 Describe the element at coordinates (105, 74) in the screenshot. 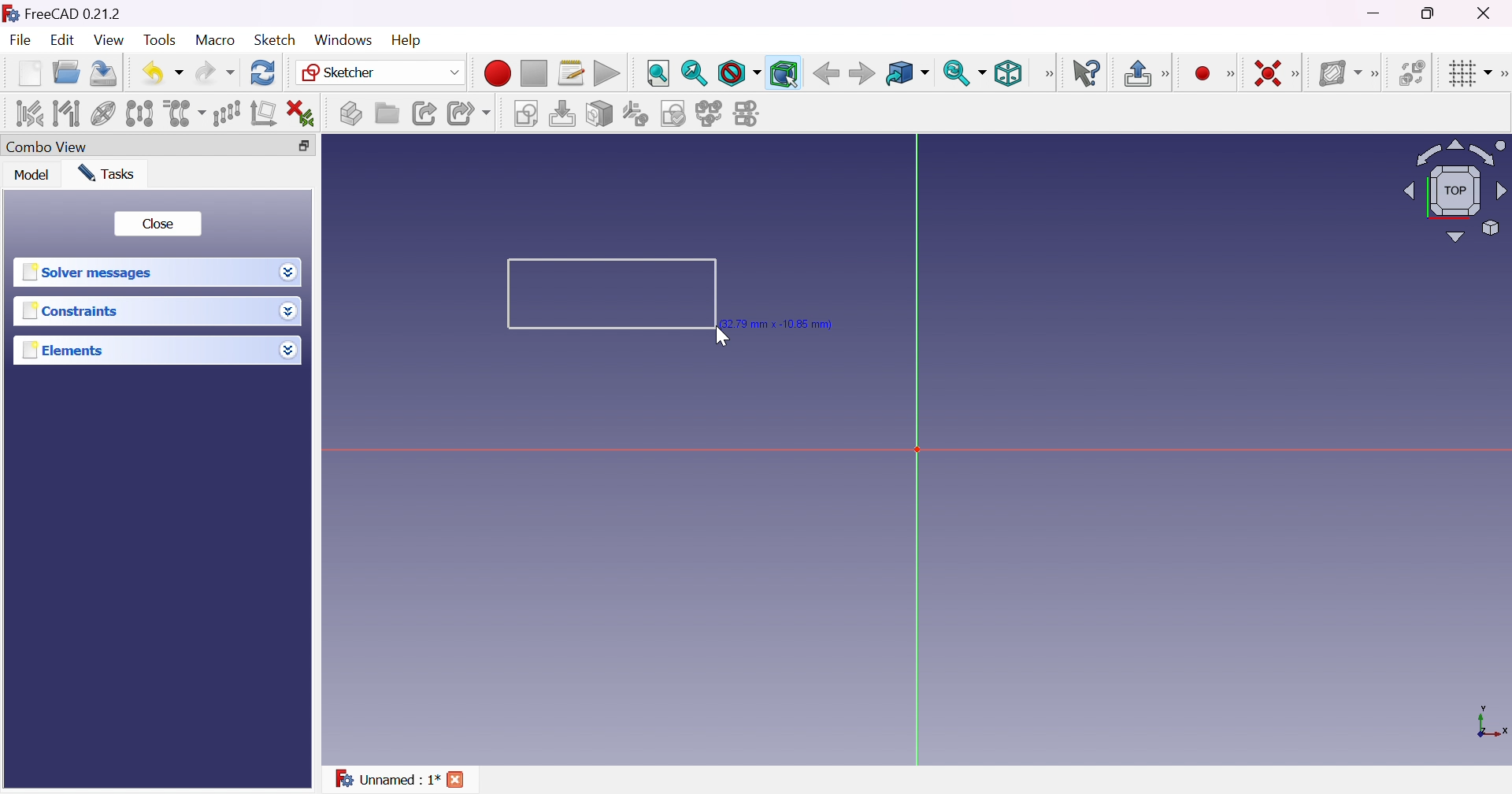

I see `Save` at that location.